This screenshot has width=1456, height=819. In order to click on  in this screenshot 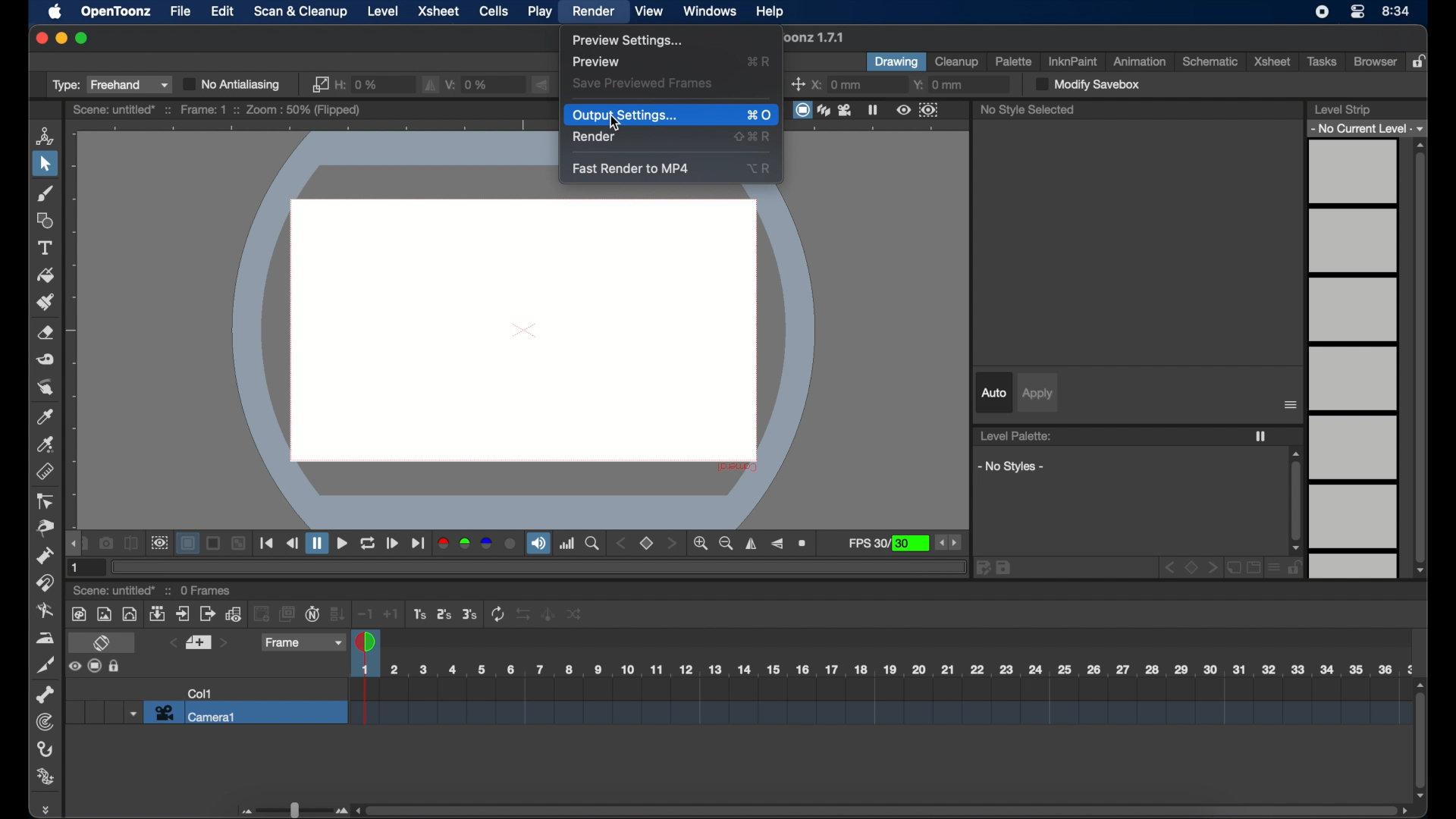, I will do `click(500, 614)`.